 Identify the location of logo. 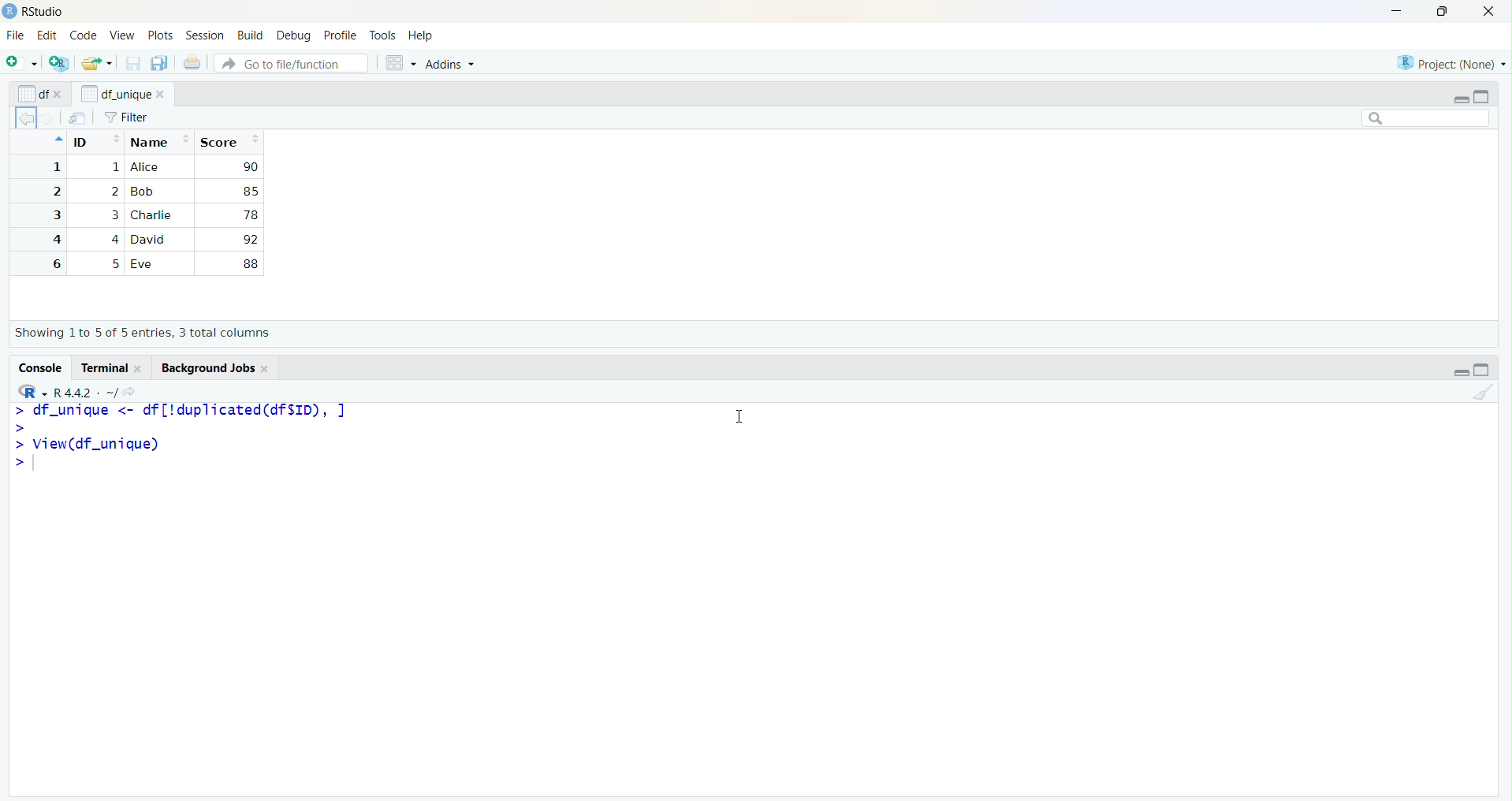
(9, 12).